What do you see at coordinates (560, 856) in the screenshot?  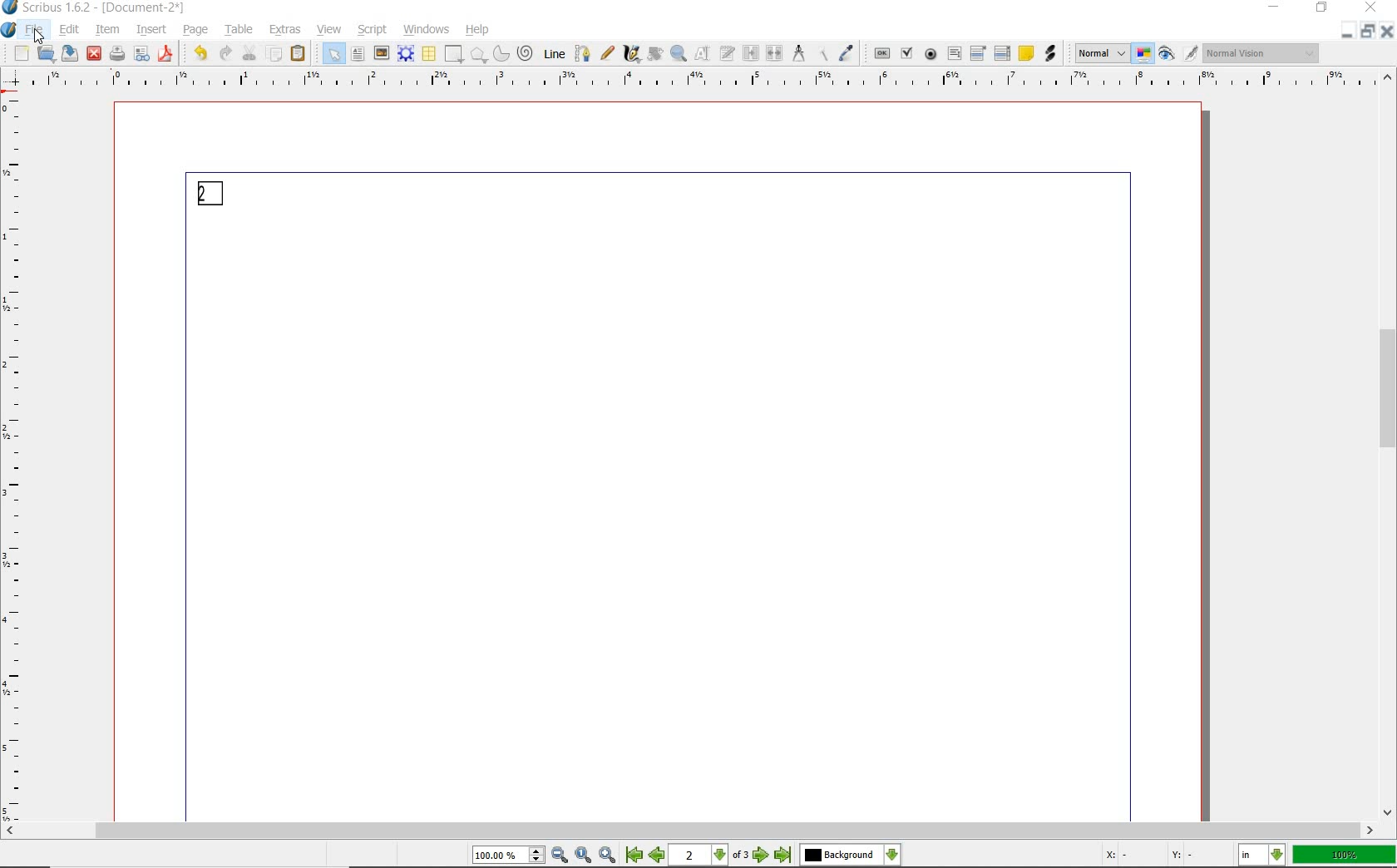 I see `Zoom Out` at bounding box center [560, 856].